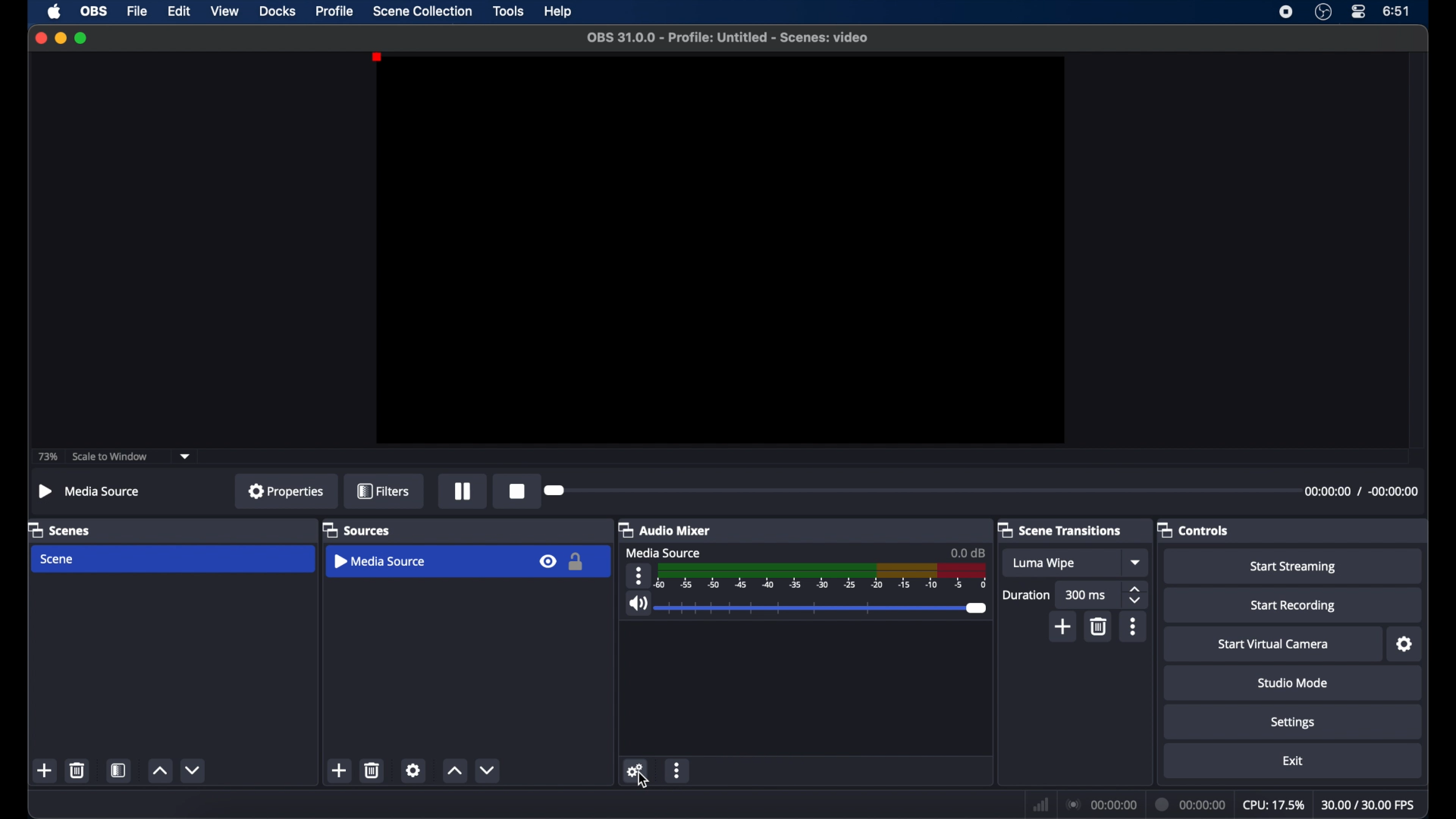  Describe the element at coordinates (382, 561) in the screenshot. I see `media source` at that location.